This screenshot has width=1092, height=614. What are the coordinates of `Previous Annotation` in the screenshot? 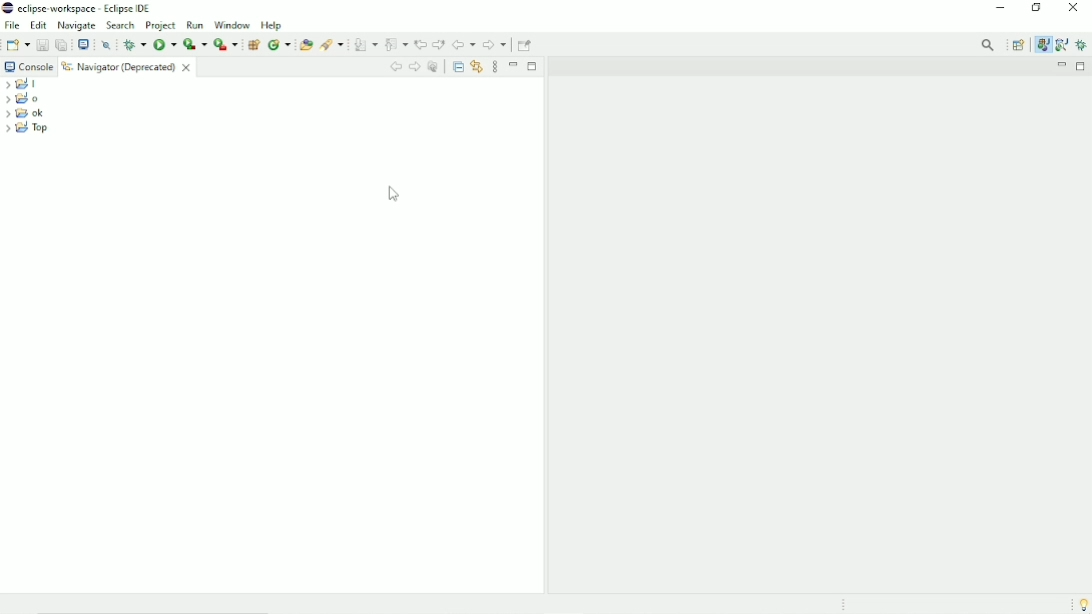 It's located at (396, 44).